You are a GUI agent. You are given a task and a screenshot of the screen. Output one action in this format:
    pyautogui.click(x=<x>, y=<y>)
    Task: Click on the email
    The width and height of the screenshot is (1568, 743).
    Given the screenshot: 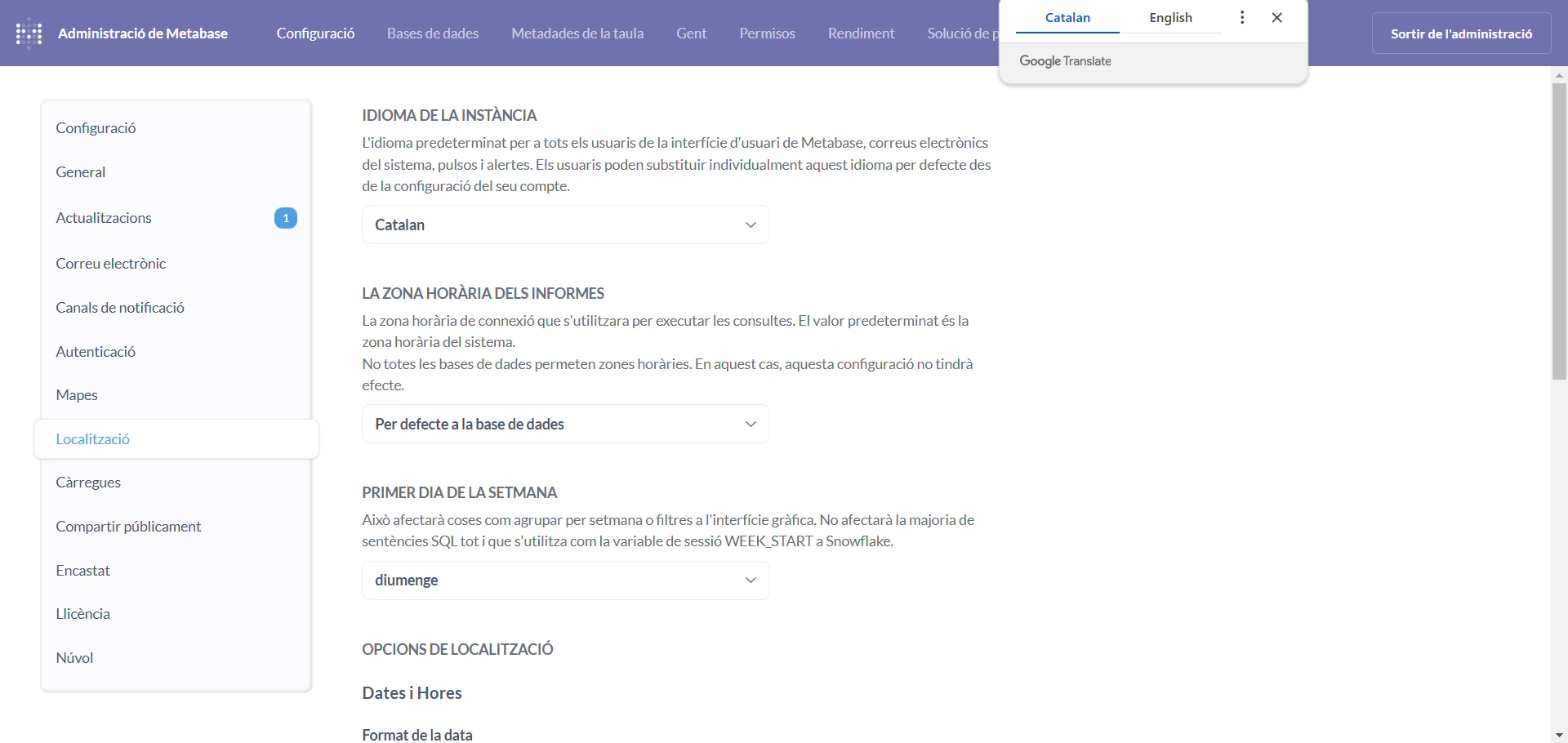 What is the action you would take?
    pyautogui.click(x=173, y=264)
    